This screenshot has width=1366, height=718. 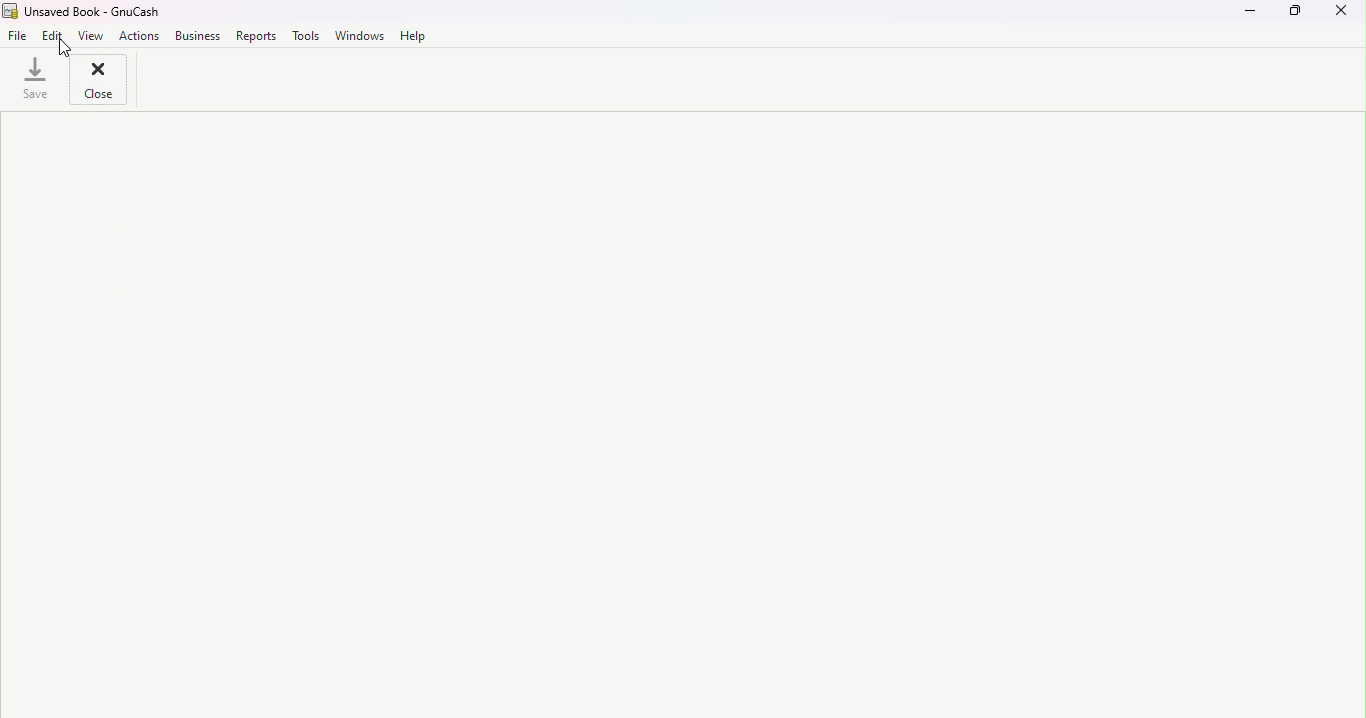 What do you see at coordinates (1345, 17) in the screenshot?
I see `Close` at bounding box center [1345, 17].